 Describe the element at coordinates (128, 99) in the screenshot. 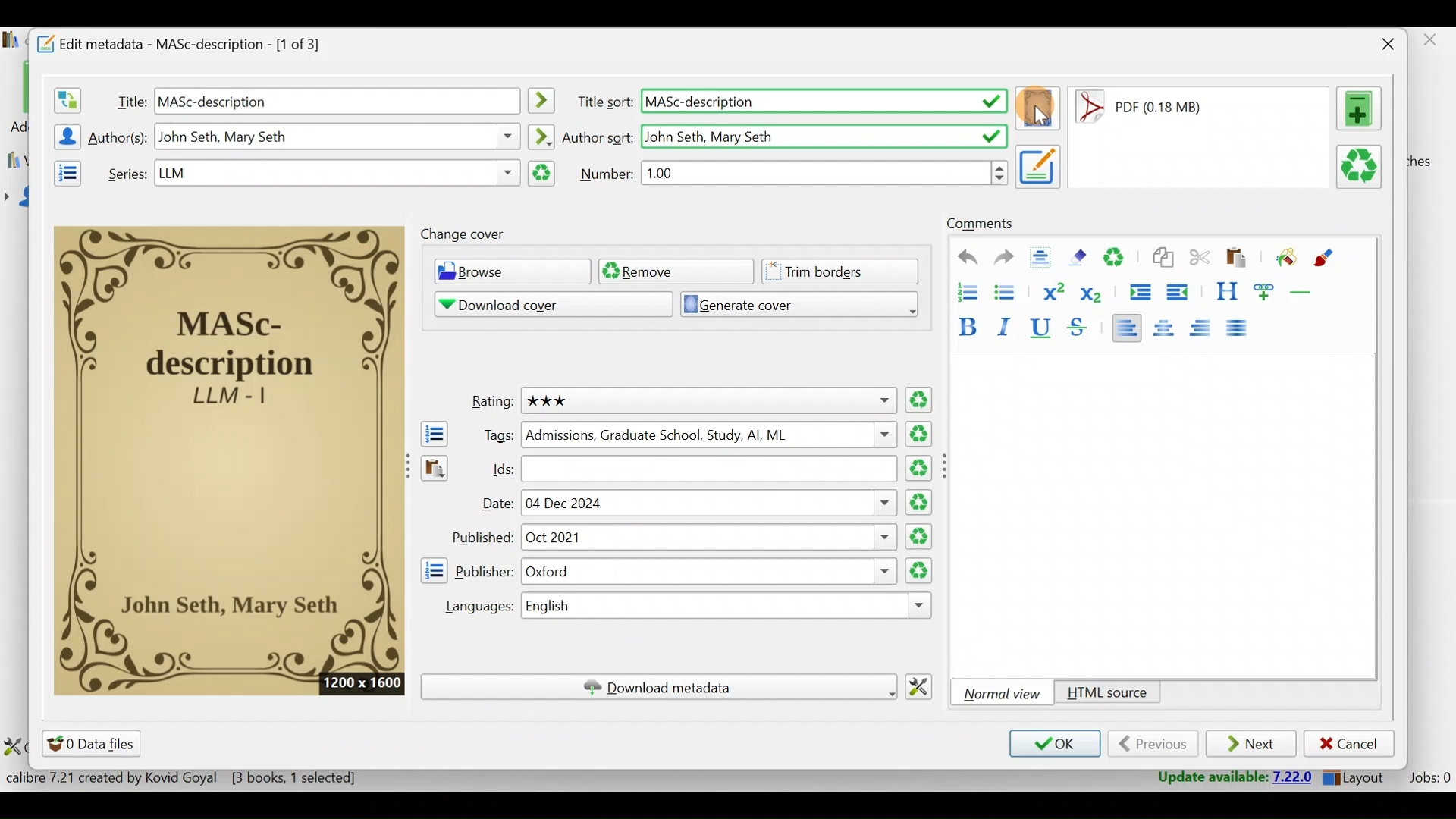

I see `Title` at that location.